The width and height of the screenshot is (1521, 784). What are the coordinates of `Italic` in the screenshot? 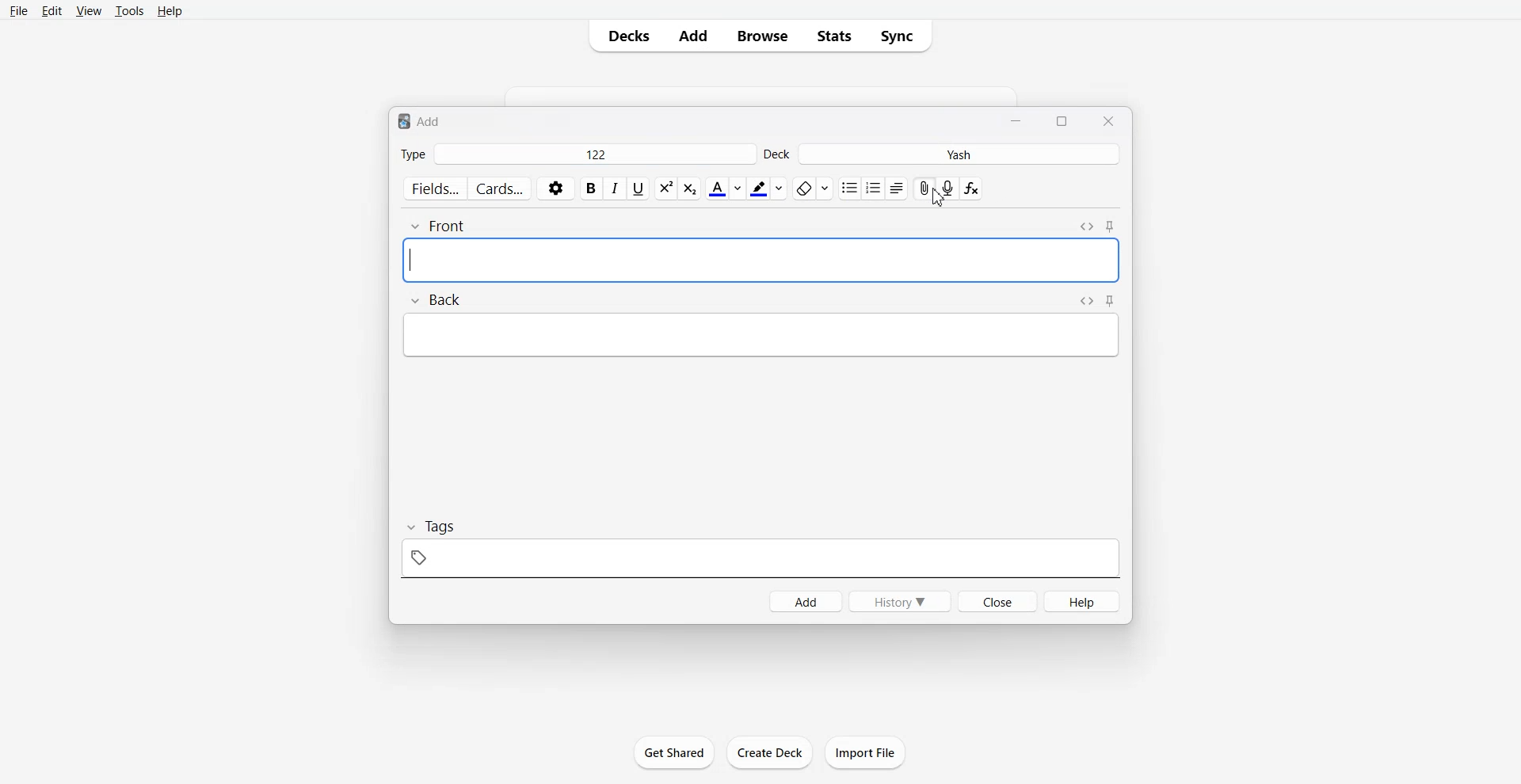 It's located at (616, 188).